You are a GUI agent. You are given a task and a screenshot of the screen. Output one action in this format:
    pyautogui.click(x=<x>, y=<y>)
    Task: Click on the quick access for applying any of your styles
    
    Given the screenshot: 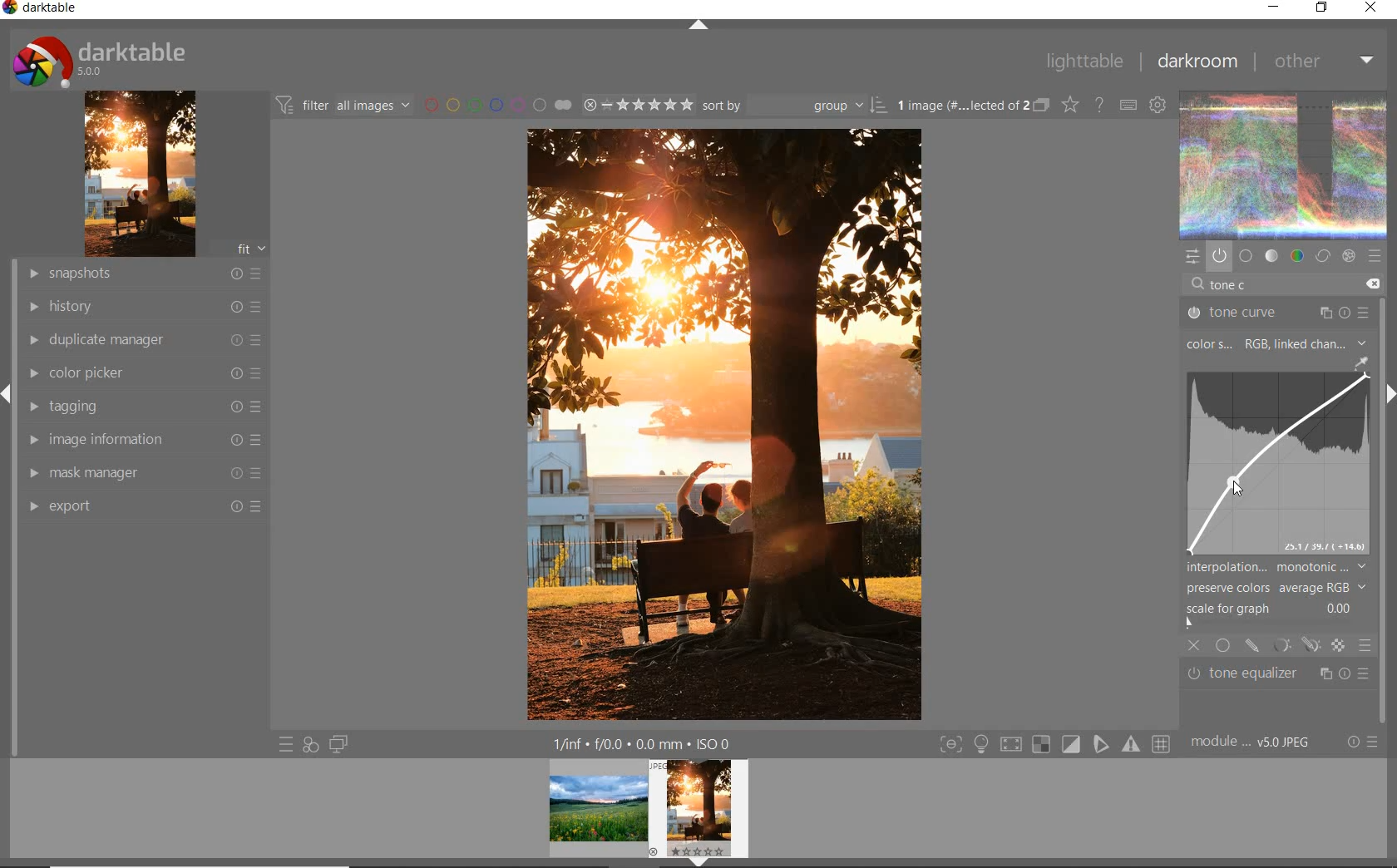 What is the action you would take?
    pyautogui.click(x=310, y=744)
    